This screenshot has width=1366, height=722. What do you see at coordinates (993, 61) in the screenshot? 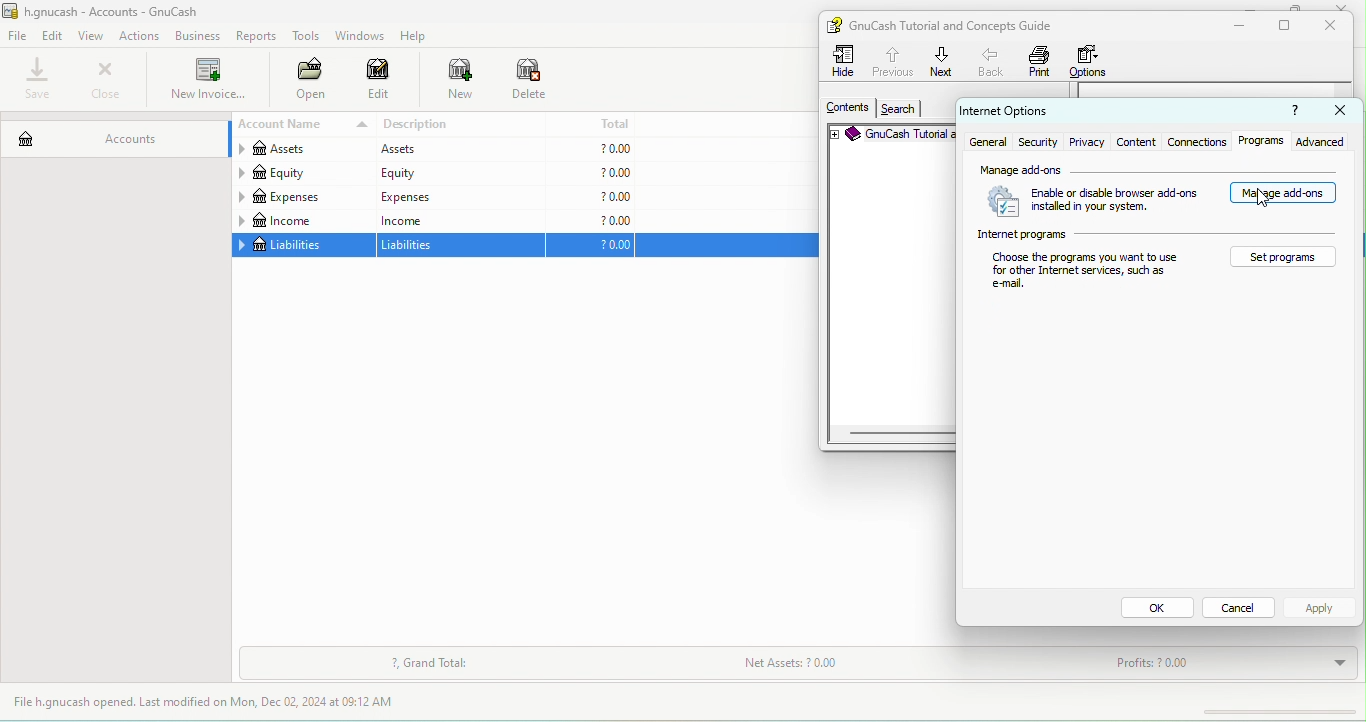
I see `back` at bounding box center [993, 61].